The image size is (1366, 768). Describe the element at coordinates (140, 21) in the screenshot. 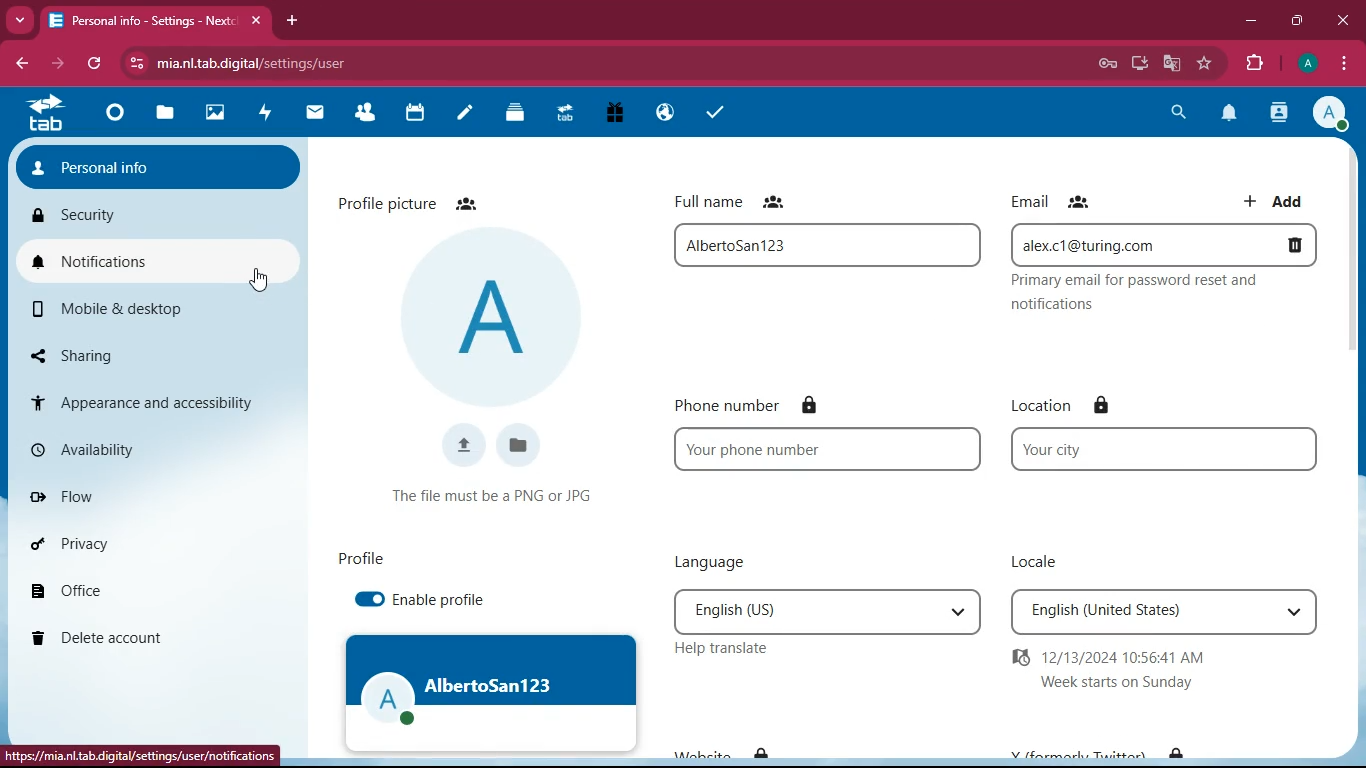

I see `E Personal info - Settings - Next:` at that location.